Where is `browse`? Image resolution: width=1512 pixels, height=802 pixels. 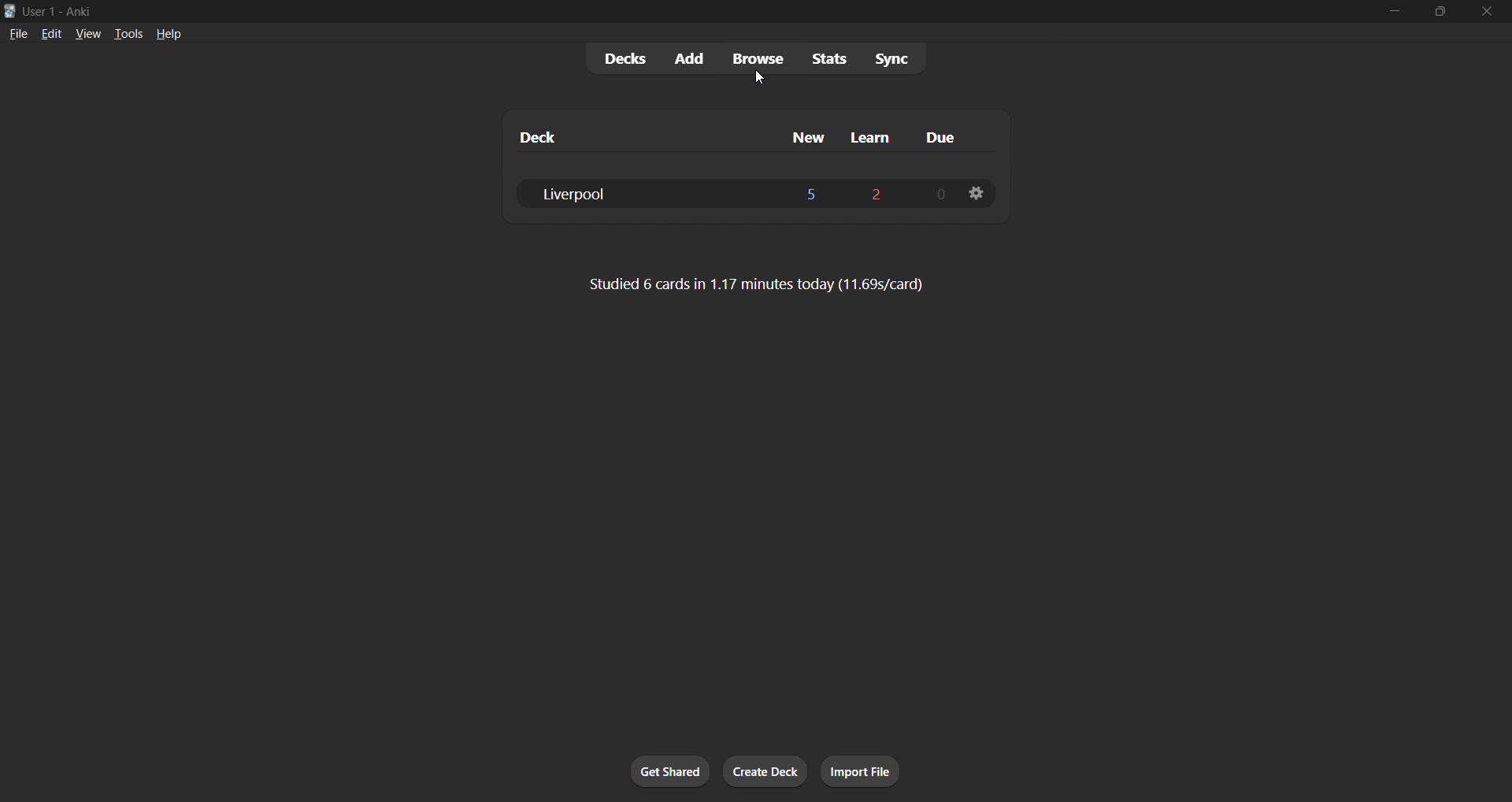 browse is located at coordinates (757, 58).